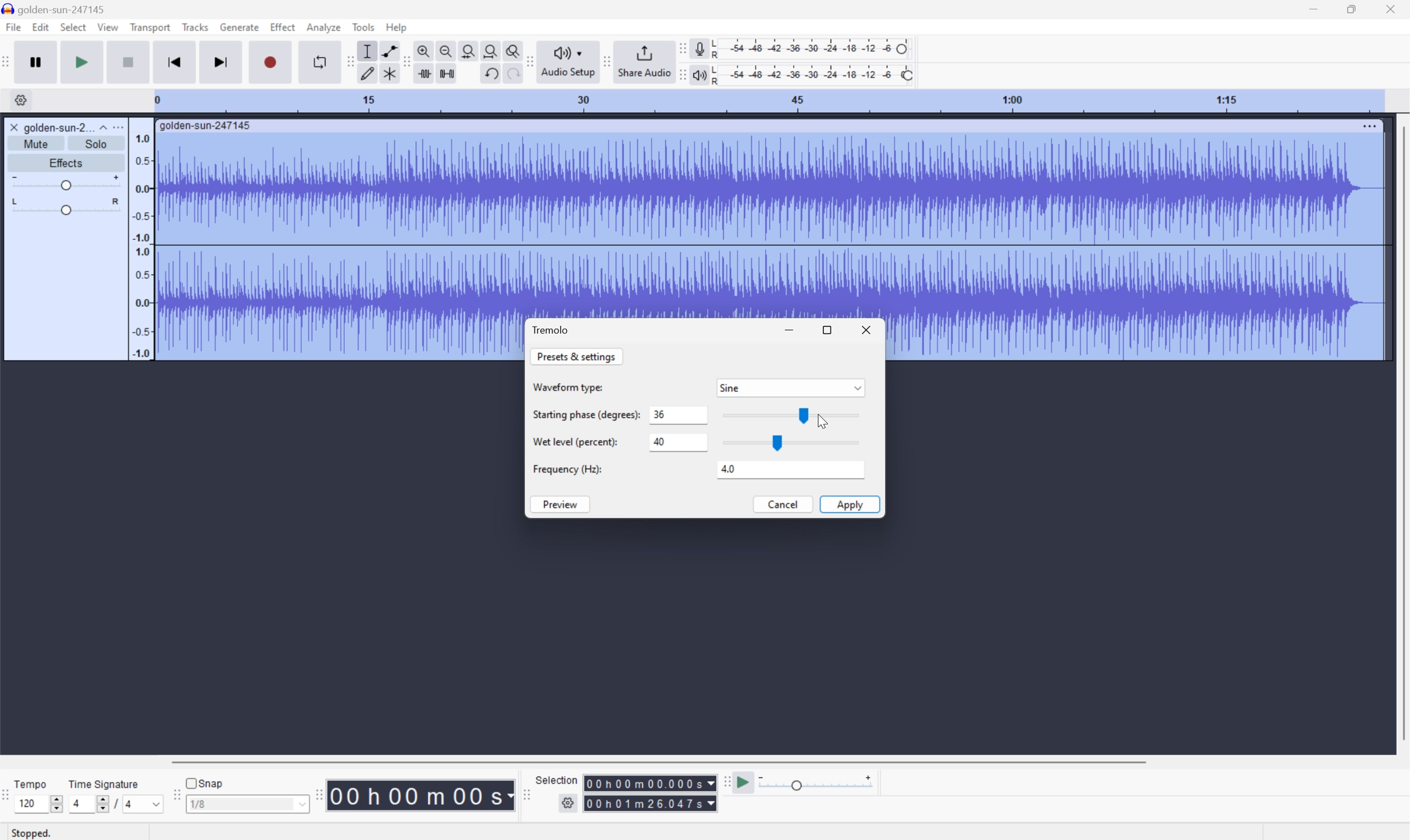  What do you see at coordinates (791, 443) in the screenshot?
I see `Slider` at bounding box center [791, 443].